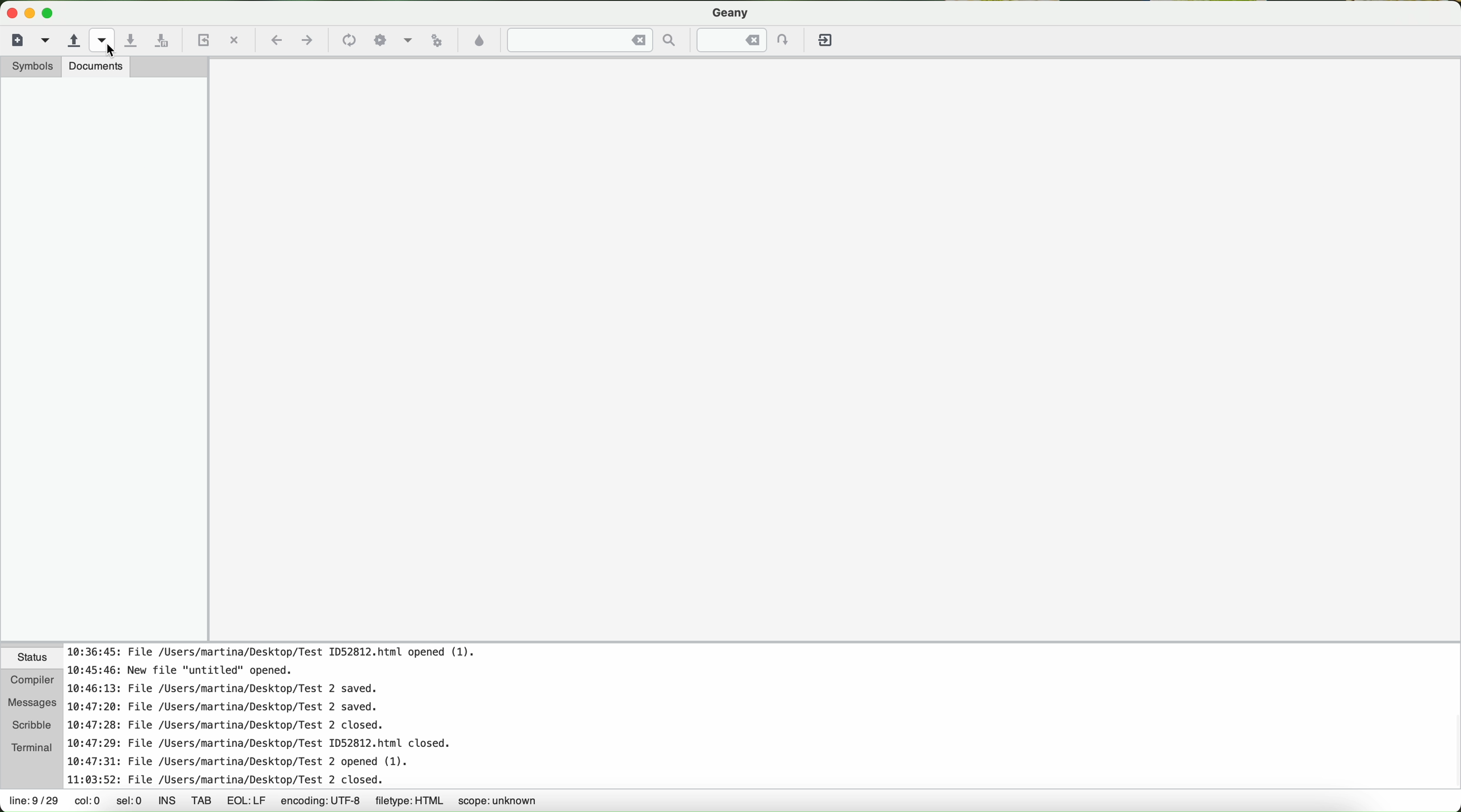  What do you see at coordinates (29, 746) in the screenshot?
I see `terminal` at bounding box center [29, 746].